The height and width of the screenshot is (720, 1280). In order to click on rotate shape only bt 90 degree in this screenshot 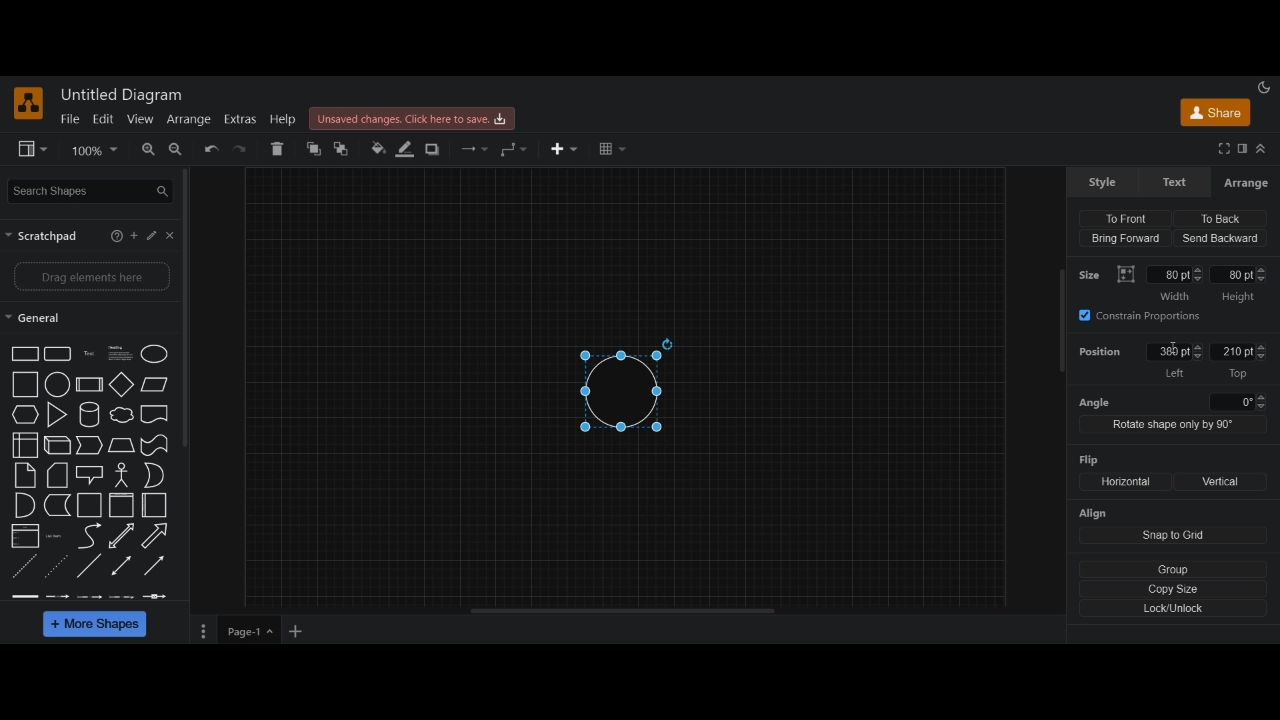, I will do `click(1171, 427)`.